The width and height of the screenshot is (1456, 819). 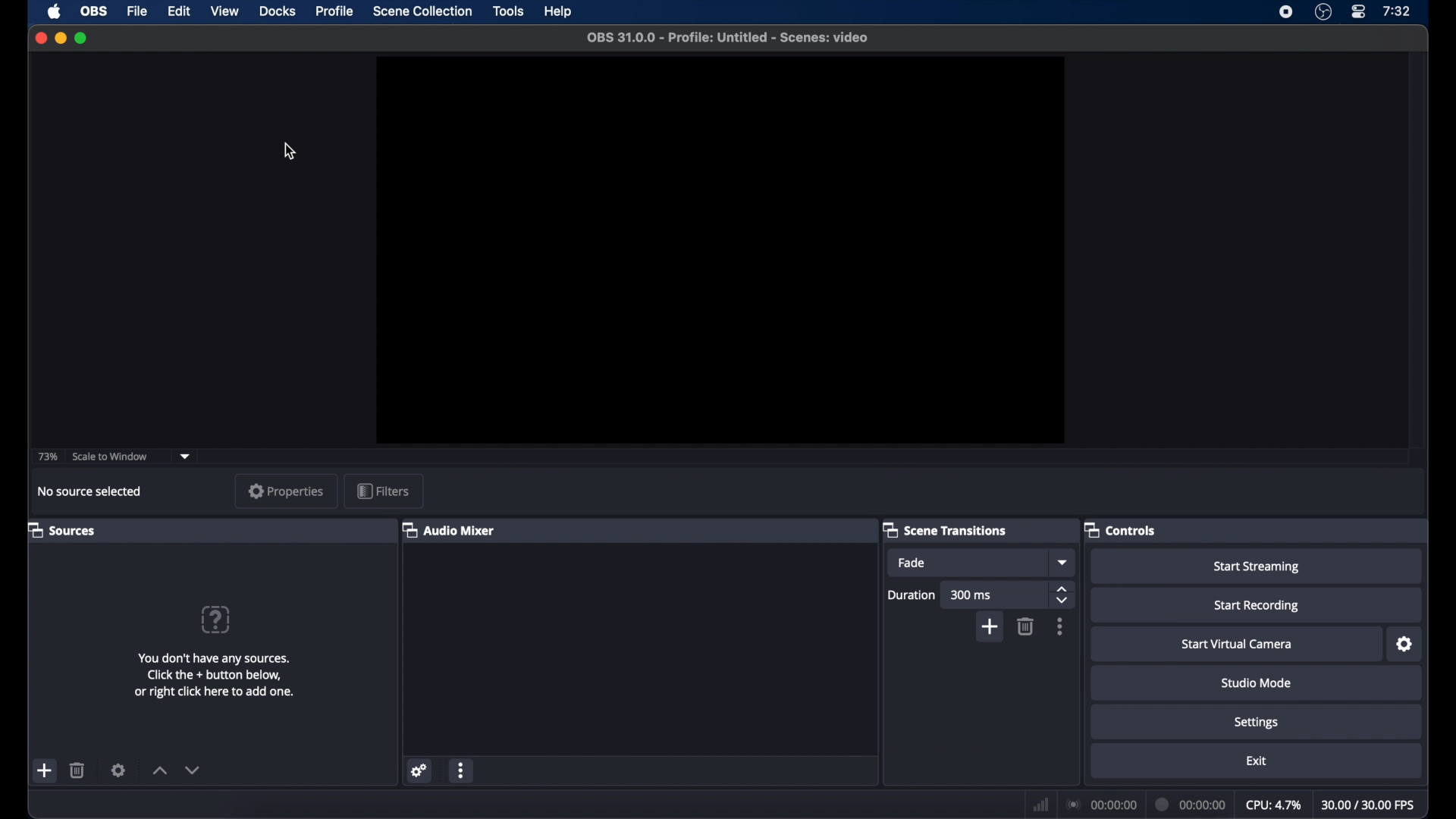 I want to click on scenes, so click(x=59, y=529).